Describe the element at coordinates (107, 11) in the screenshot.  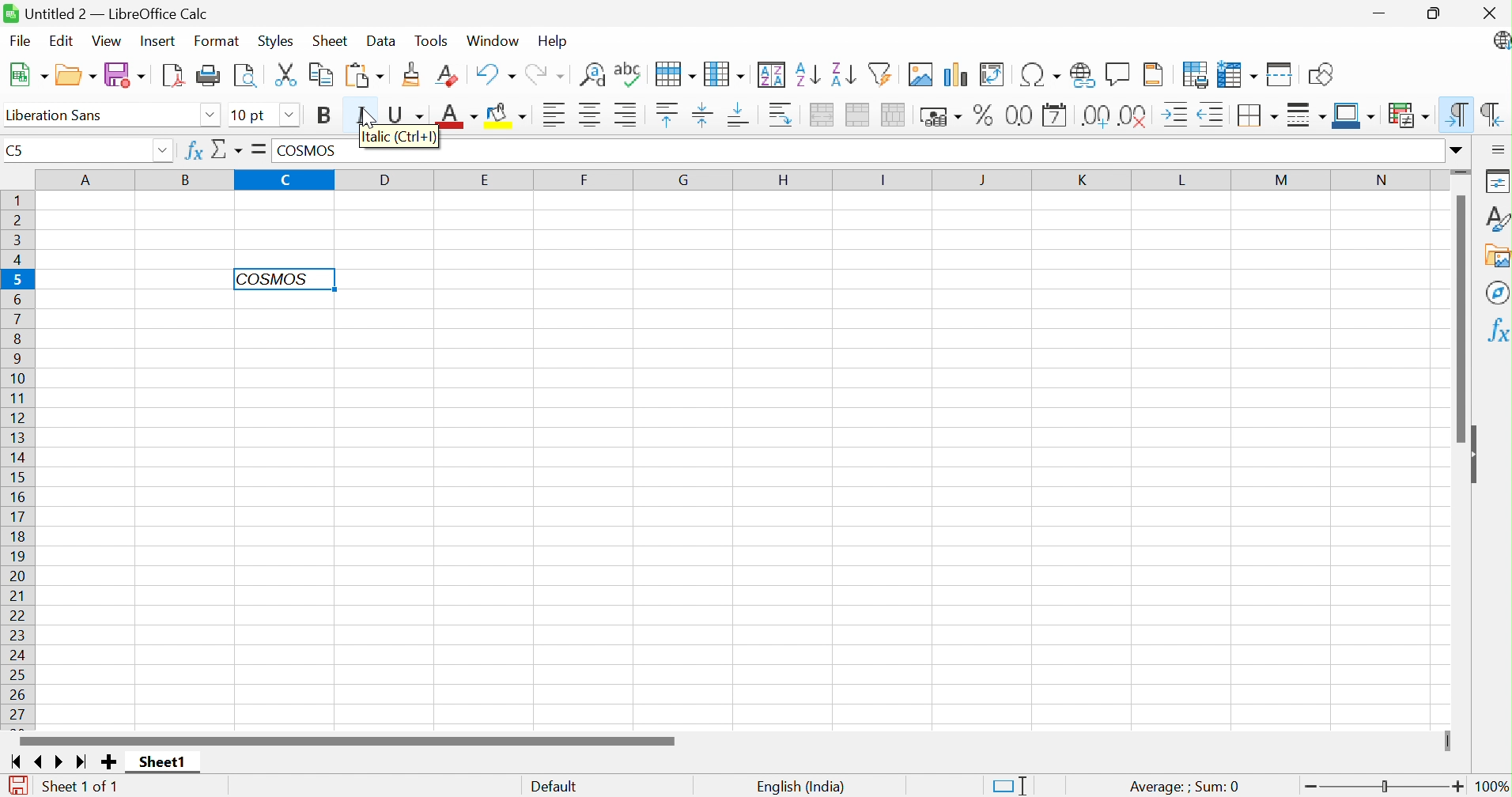
I see `Untitled 2 - LibreOffice Calc` at that location.